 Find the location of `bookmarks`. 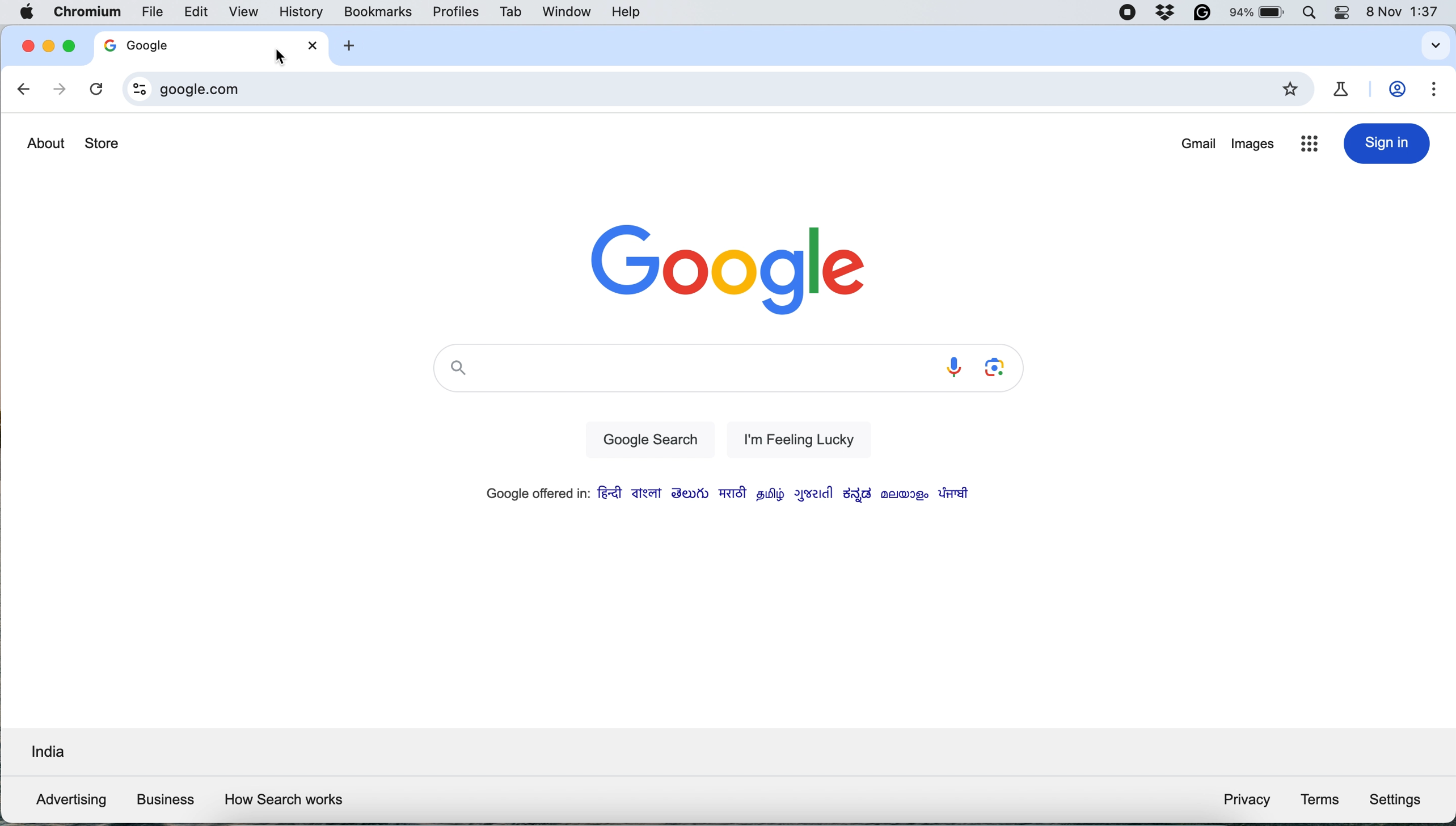

bookmarks is located at coordinates (378, 11).